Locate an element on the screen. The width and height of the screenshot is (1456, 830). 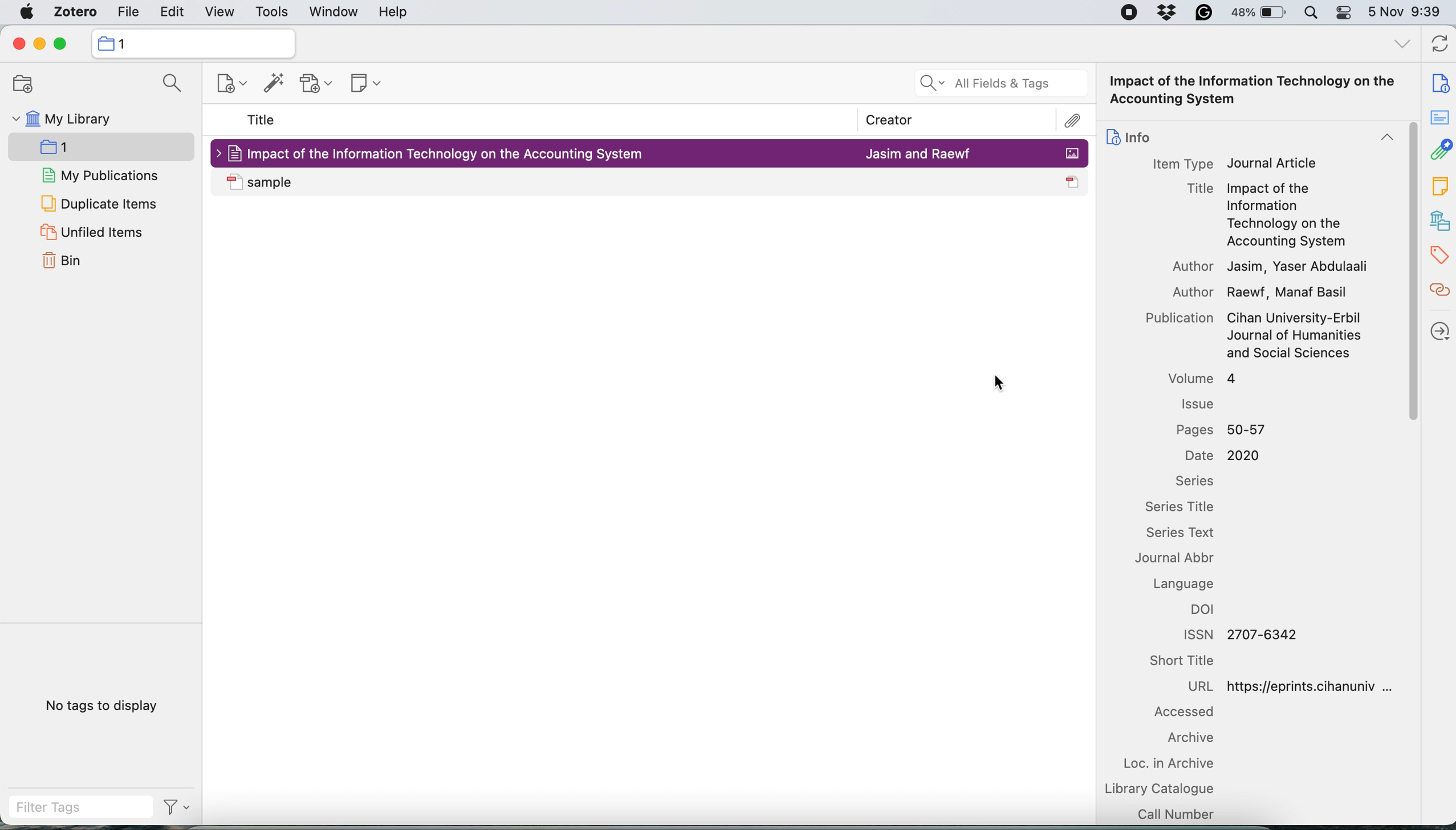
Volume 4 is located at coordinates (1203, 379).